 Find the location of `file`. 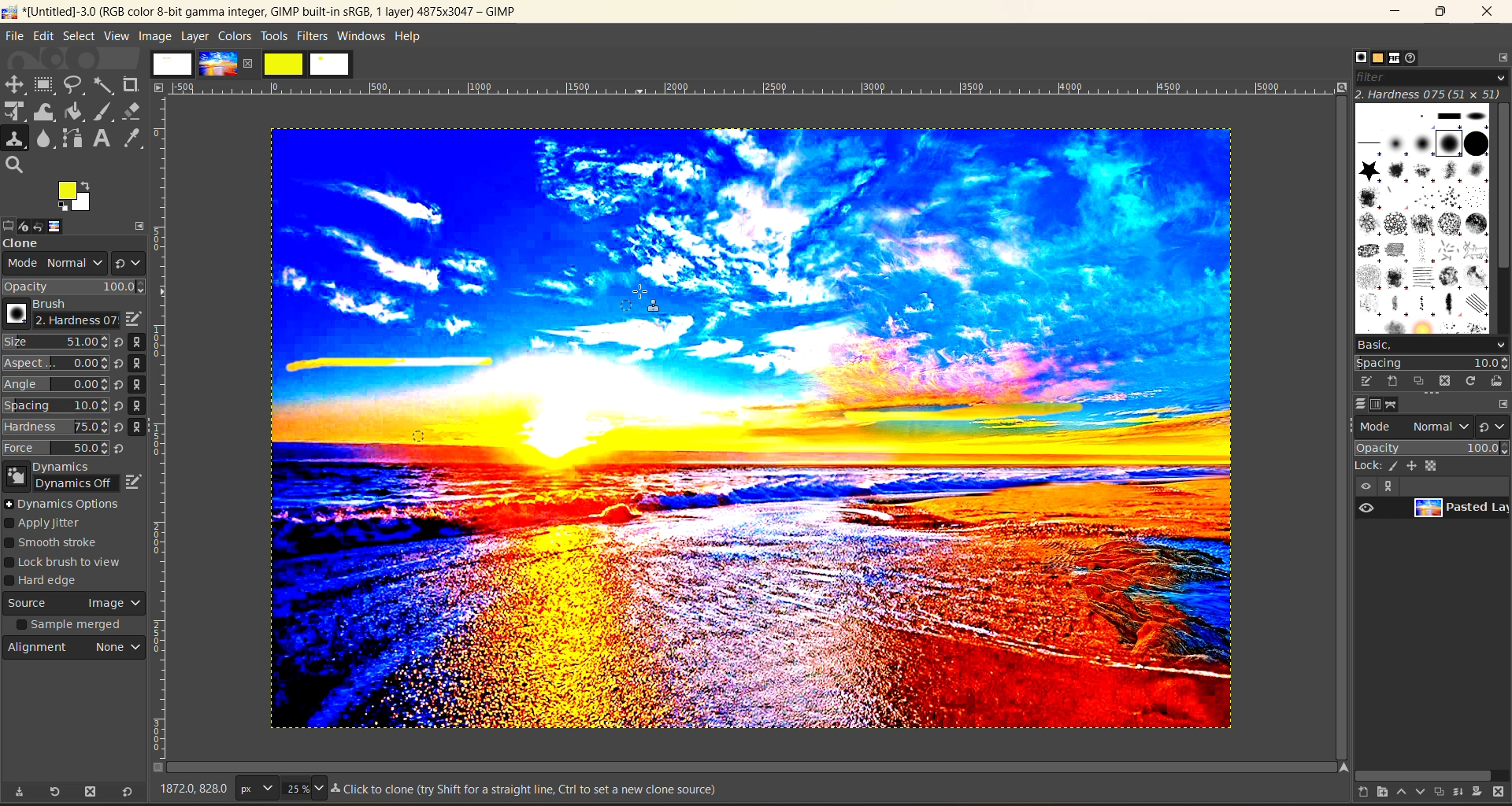

file is located at coordinates (15, 35).